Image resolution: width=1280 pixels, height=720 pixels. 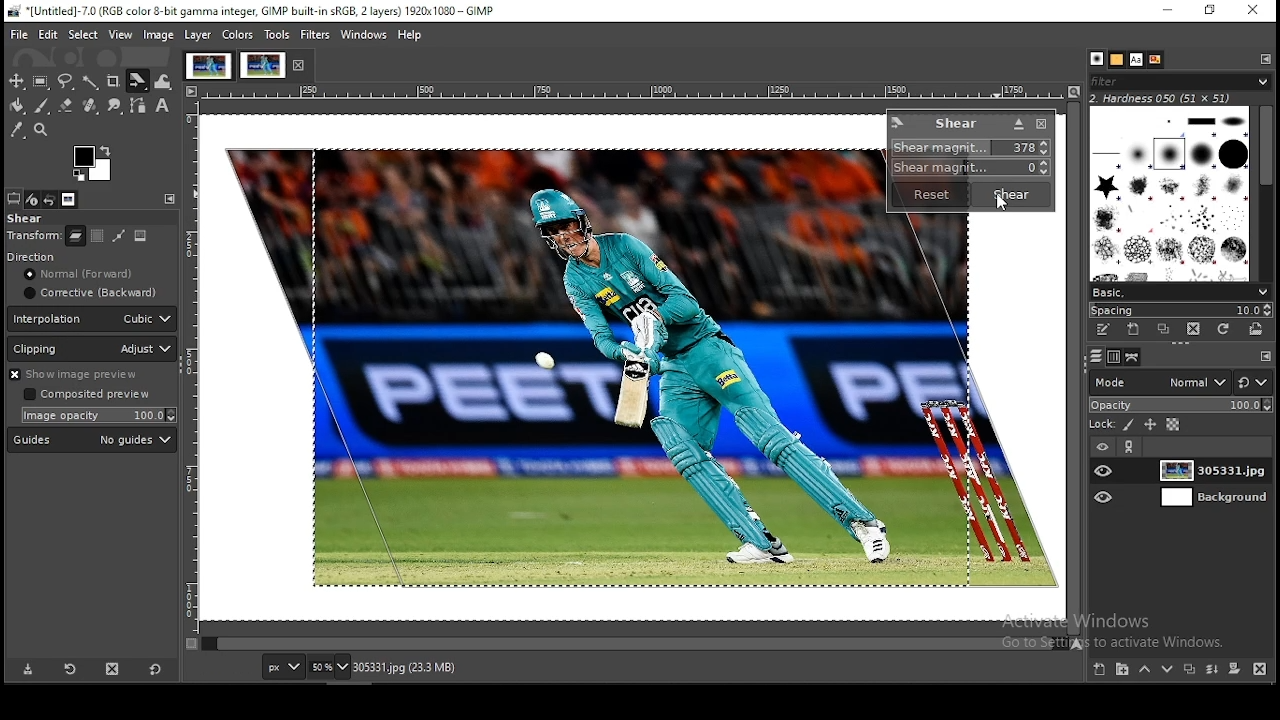 What do you see at coordinates (1132, 329) in the screenshot?
I see `create a new brush` at bounding box center [1132, 329].